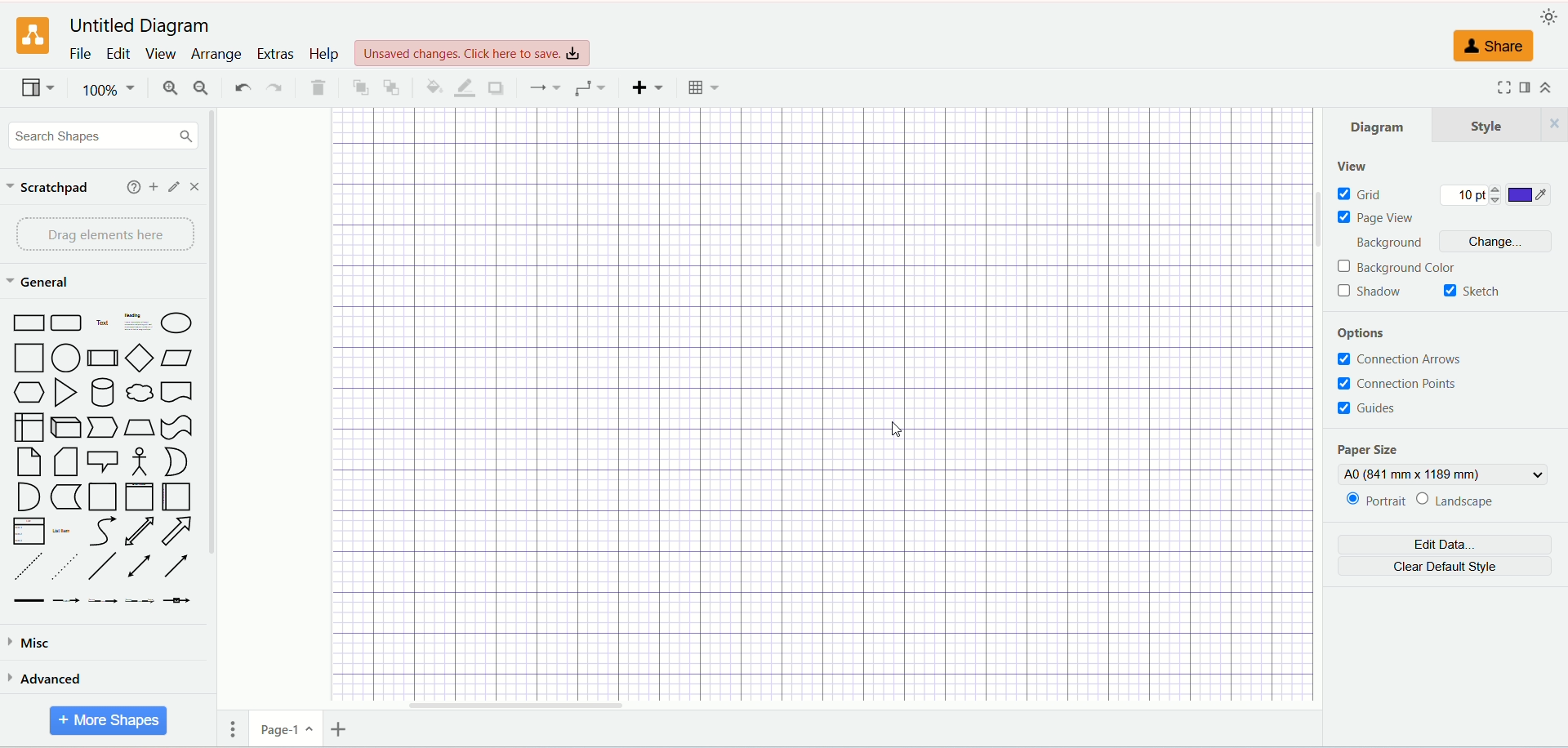 Image resolution: width=1568 pixels, height=748 pixels. I want to click on Item List, so click(28, 532).